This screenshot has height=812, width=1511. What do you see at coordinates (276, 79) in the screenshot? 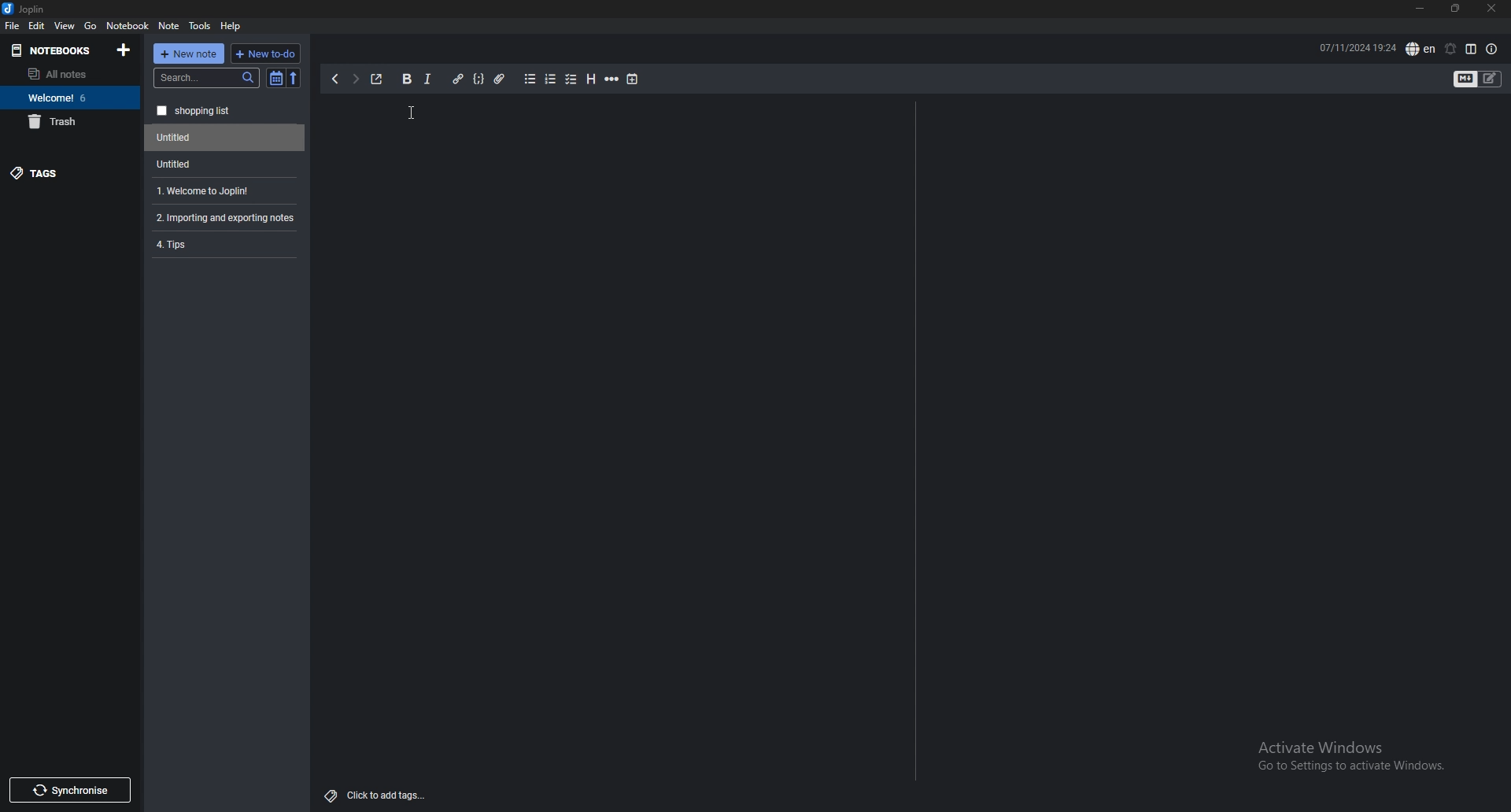
I see `toggle sort order` at bounding box center [276, 79].